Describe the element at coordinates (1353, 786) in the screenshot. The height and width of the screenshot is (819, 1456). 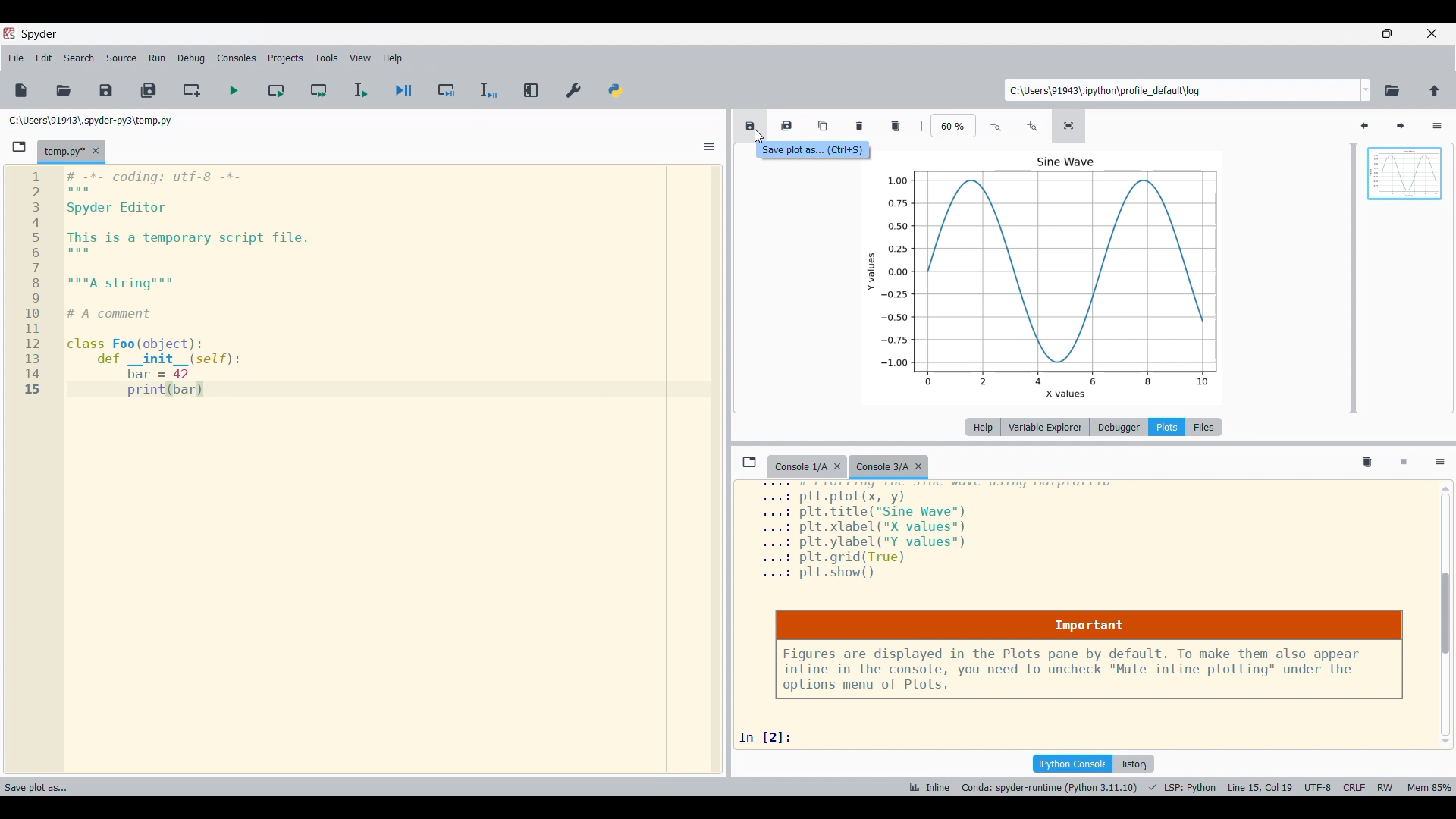
I see `CRLF` at that location.